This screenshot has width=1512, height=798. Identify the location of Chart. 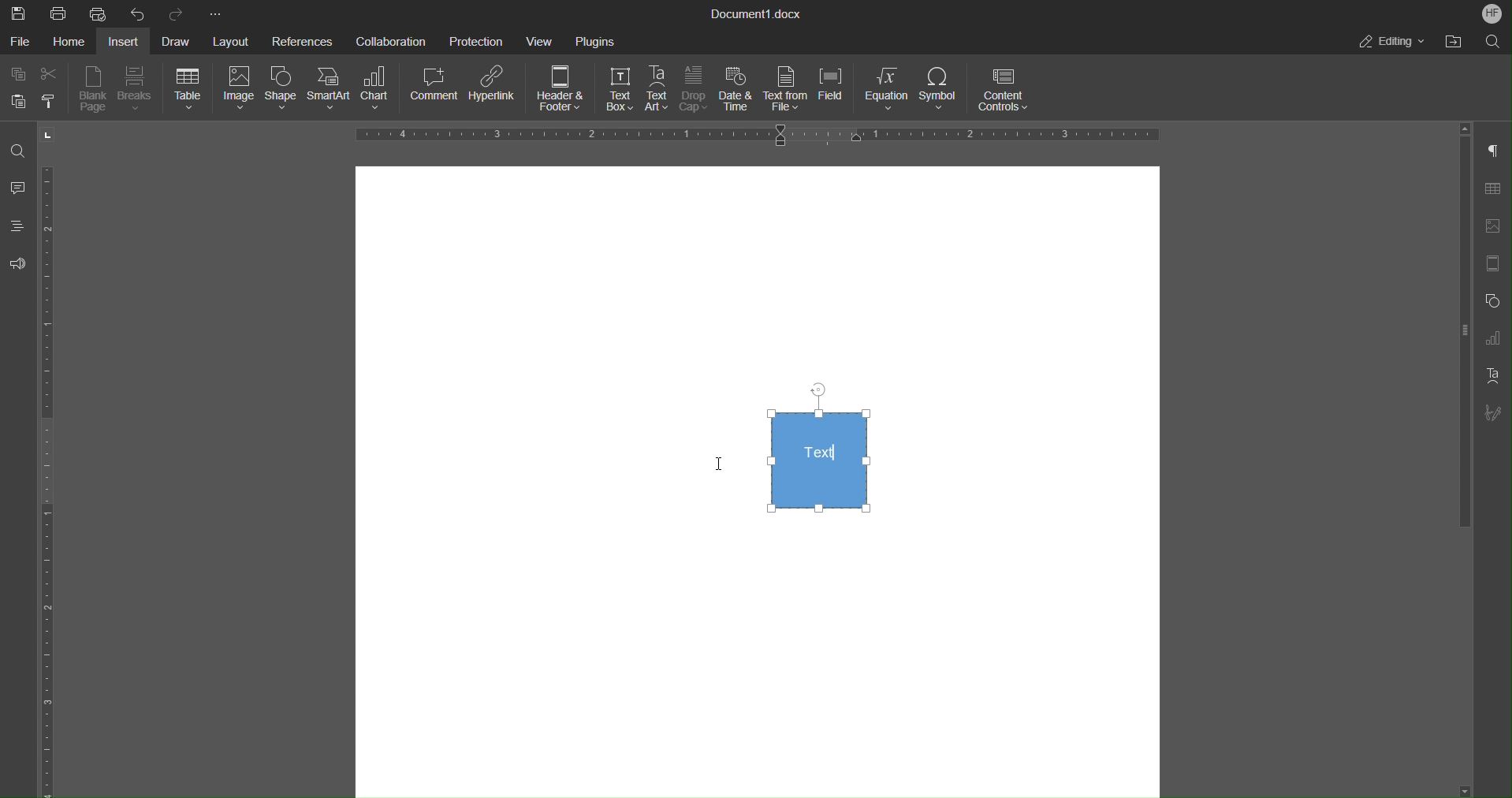
(382, 91).